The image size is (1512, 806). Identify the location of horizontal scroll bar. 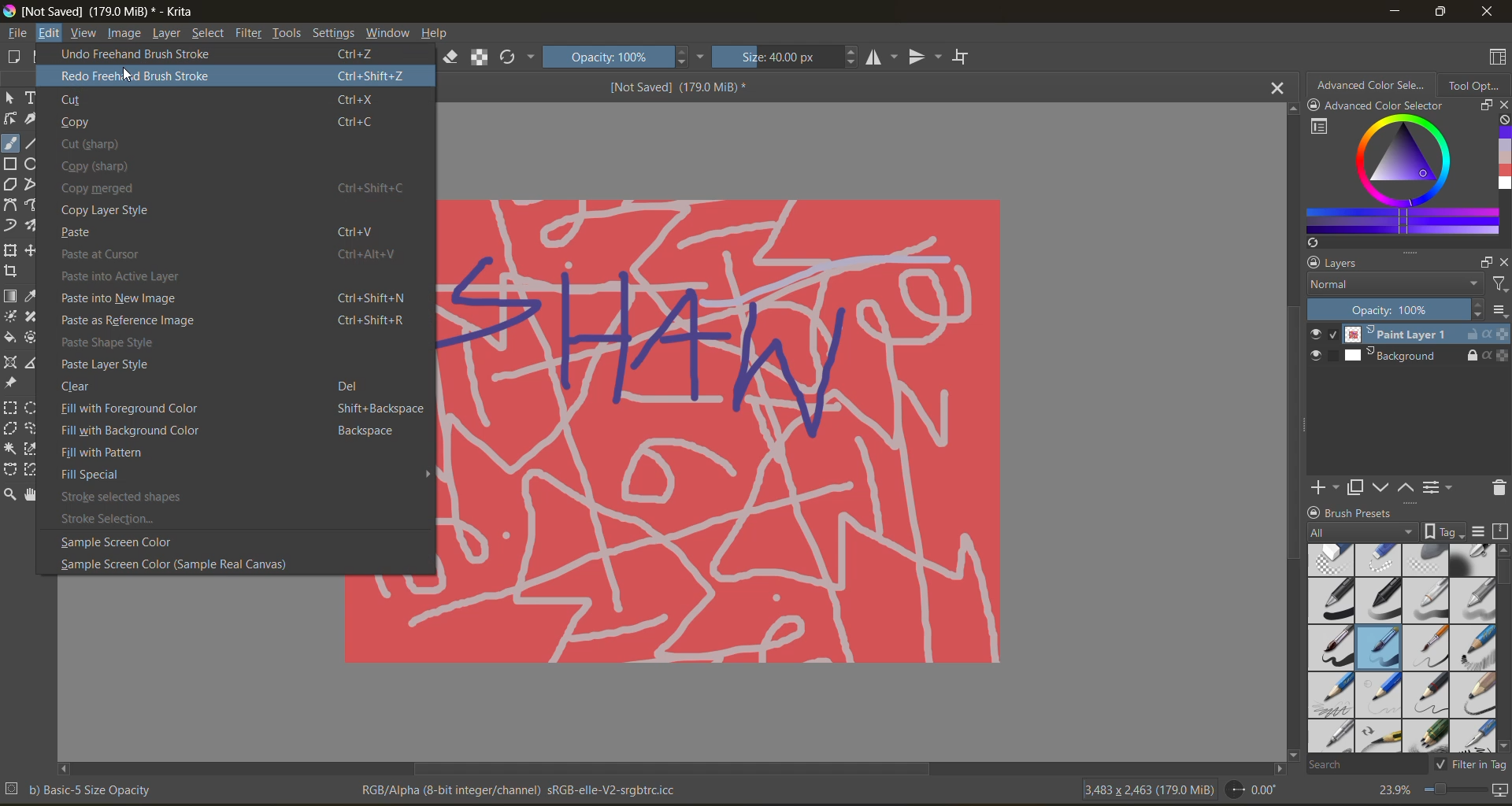
(672, 767).